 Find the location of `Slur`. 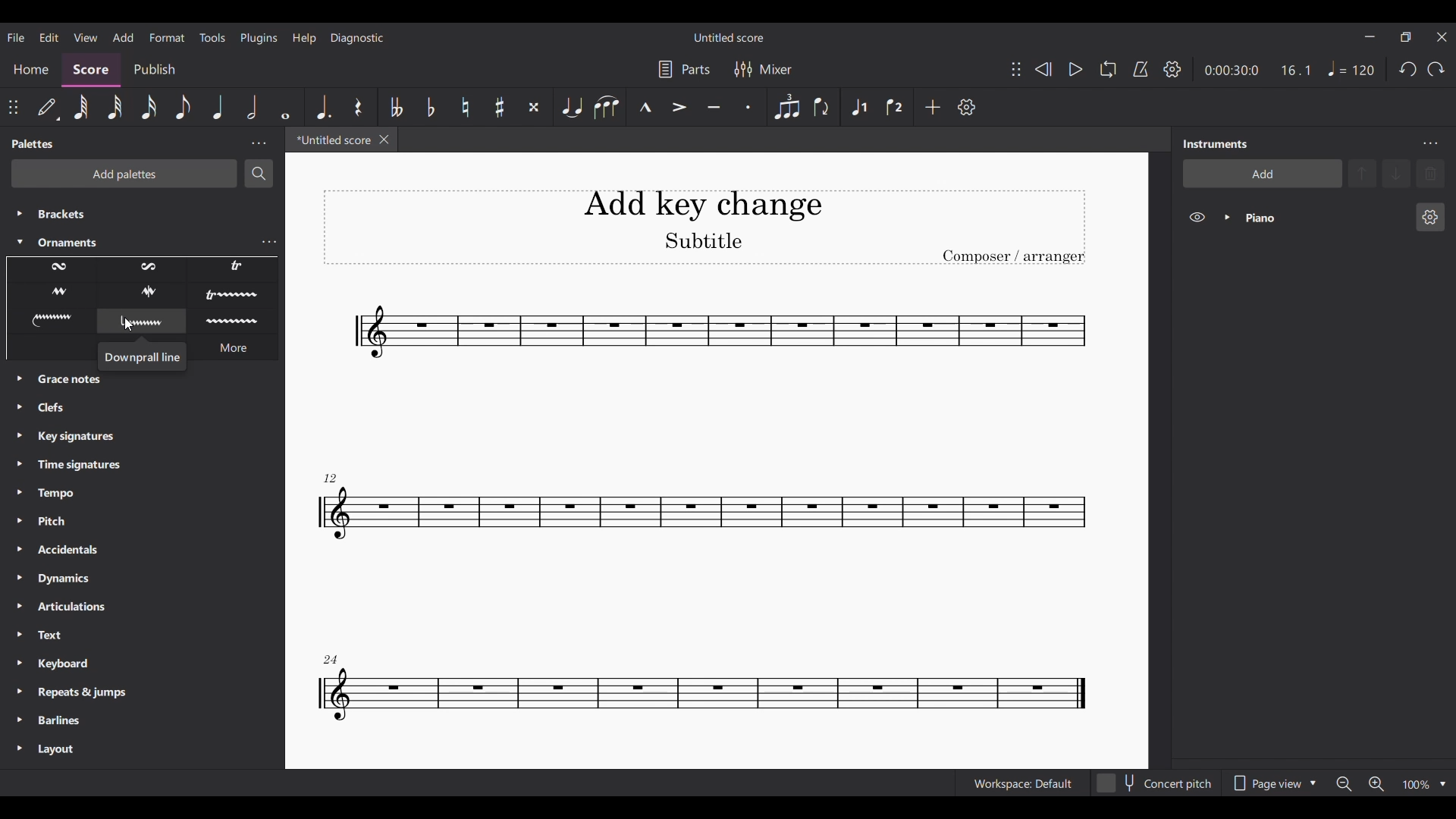

Slur is located at coordinates (606, 106).